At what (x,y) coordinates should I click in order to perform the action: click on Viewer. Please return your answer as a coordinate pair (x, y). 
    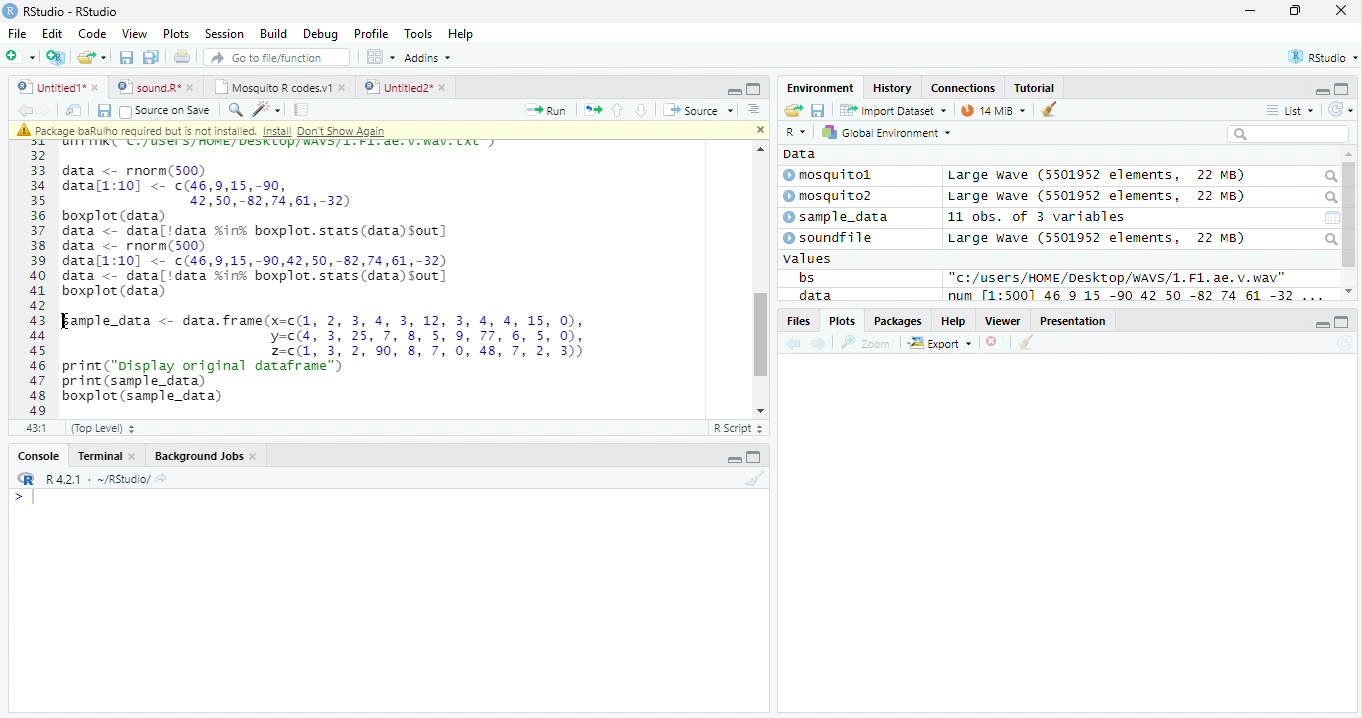
    Looking at the image, I should click on (1003, 321).